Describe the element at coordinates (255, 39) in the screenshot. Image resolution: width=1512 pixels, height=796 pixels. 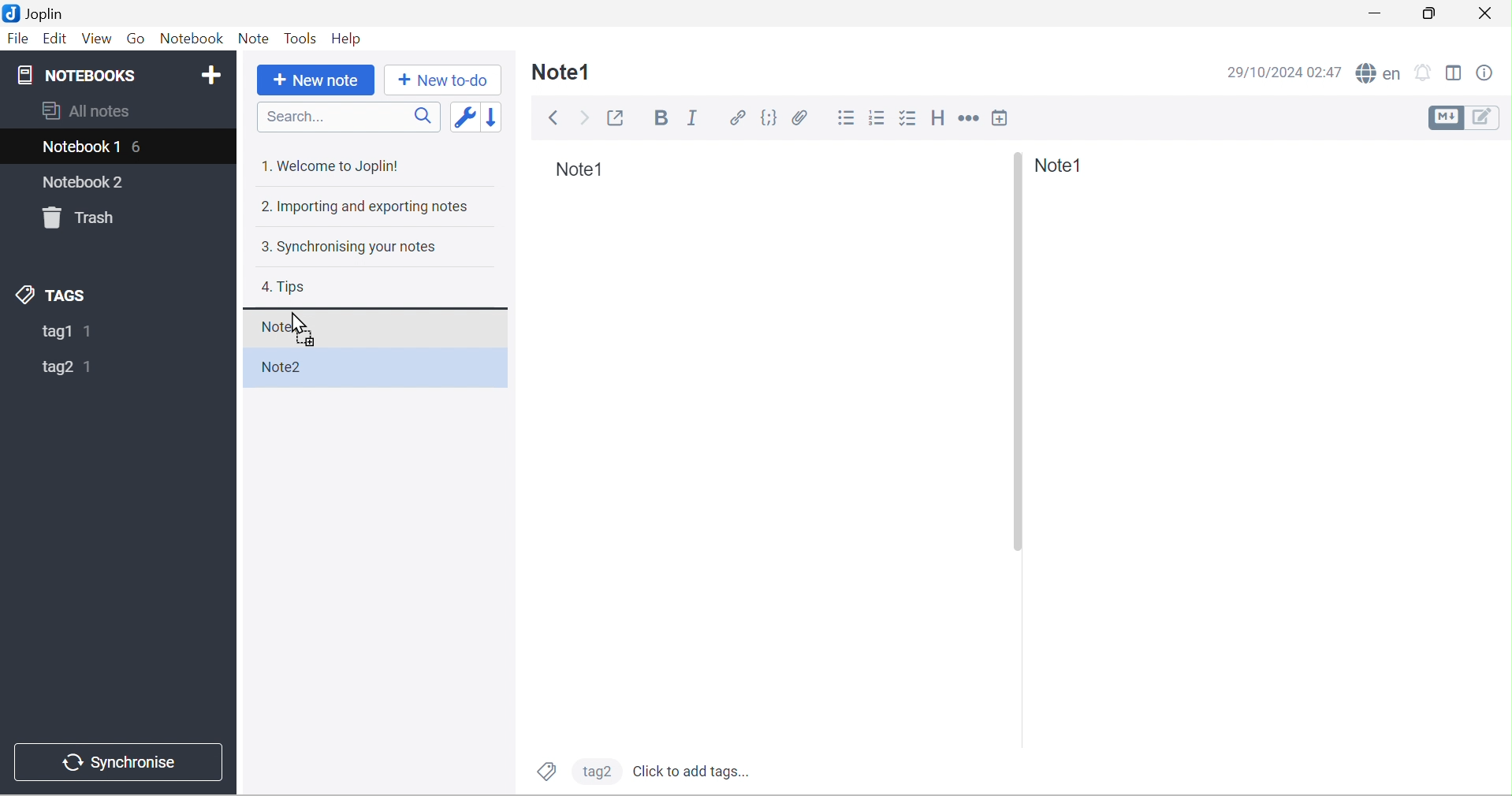
I see `Note` at that location.